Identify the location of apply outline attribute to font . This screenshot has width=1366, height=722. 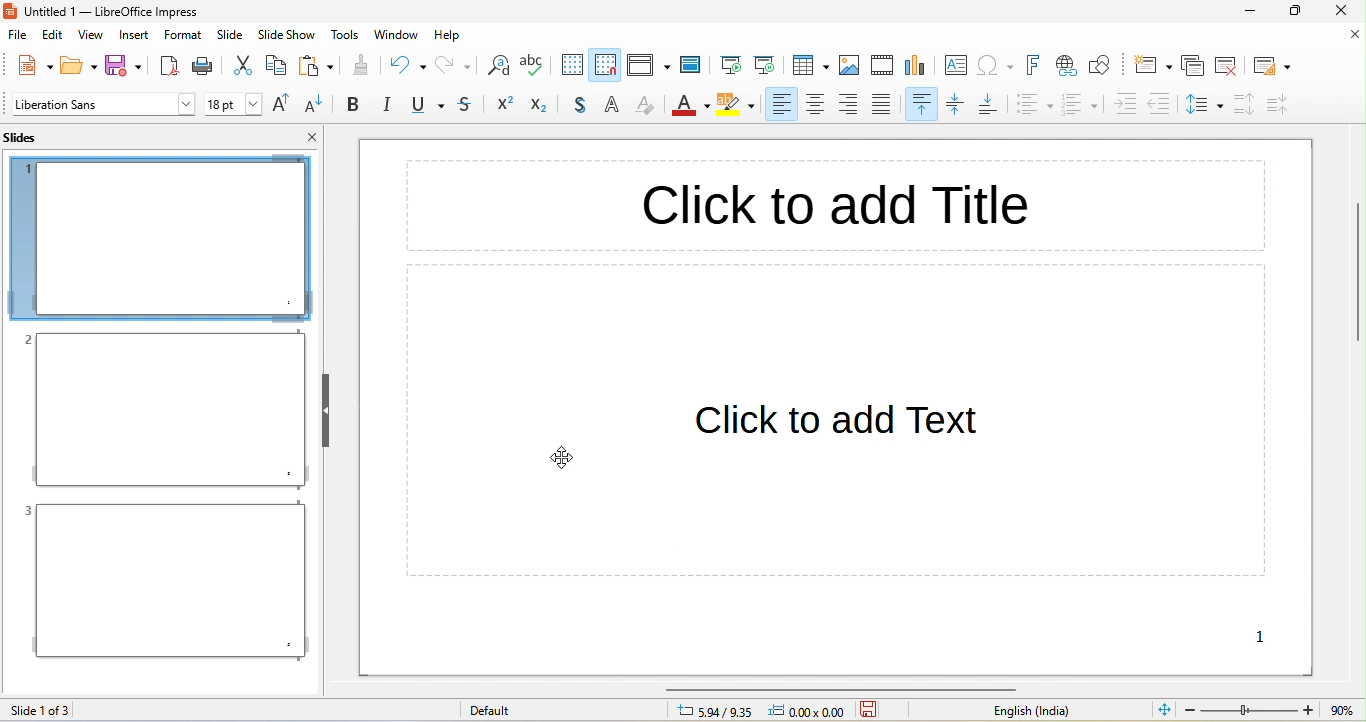
(615, 105).